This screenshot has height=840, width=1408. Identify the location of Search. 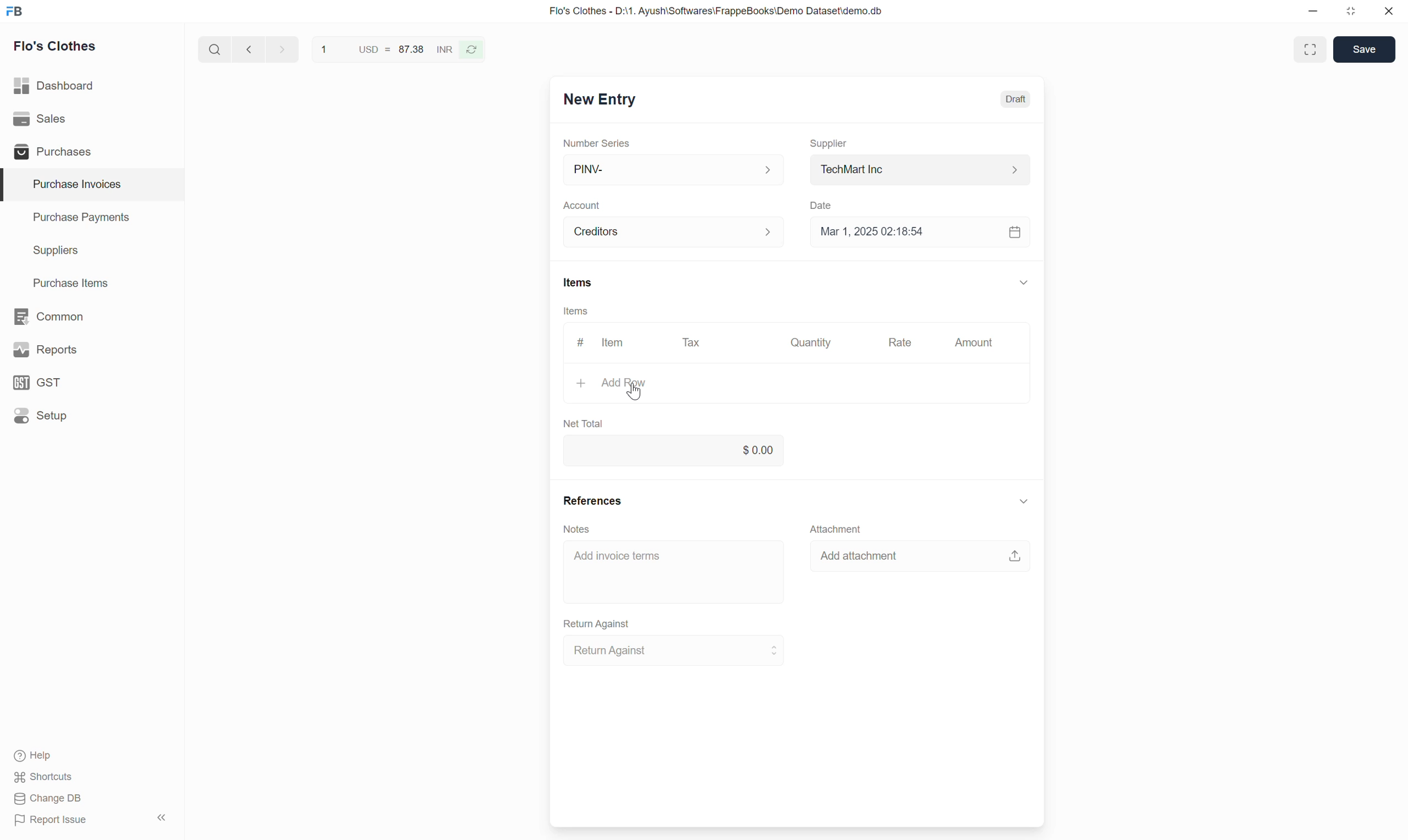
(215, 49).